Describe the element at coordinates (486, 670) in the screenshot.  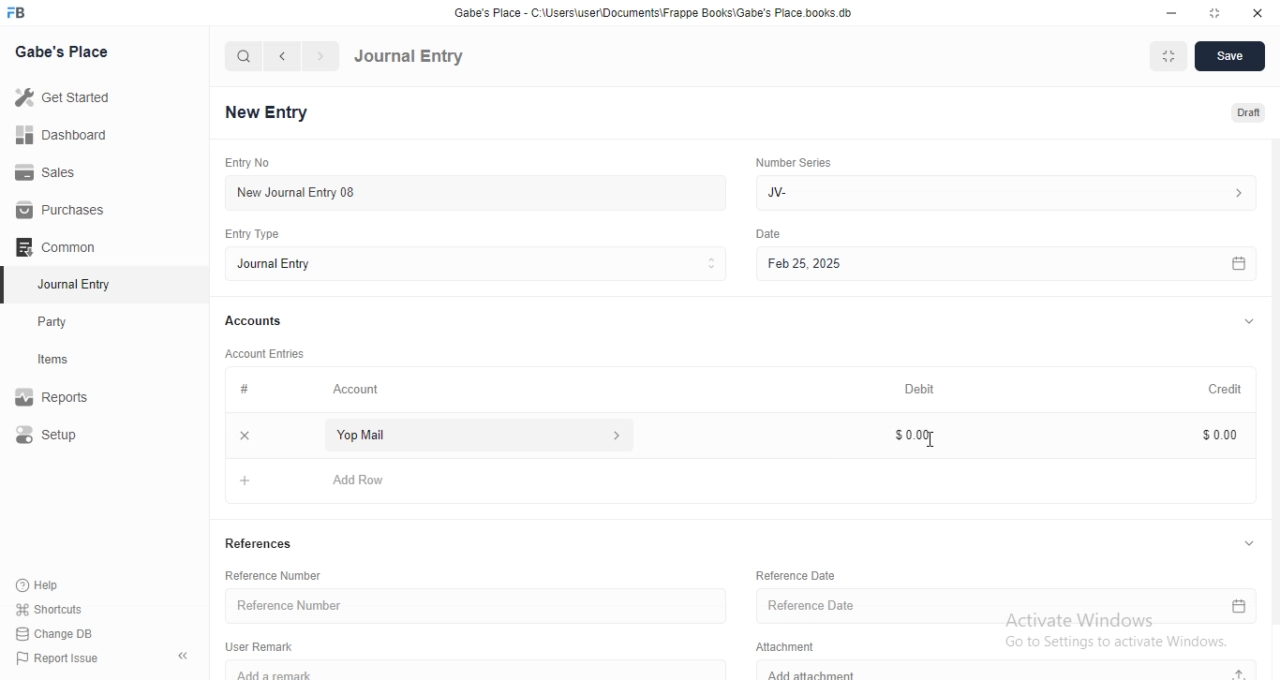
I see `Add a remark` at that location.